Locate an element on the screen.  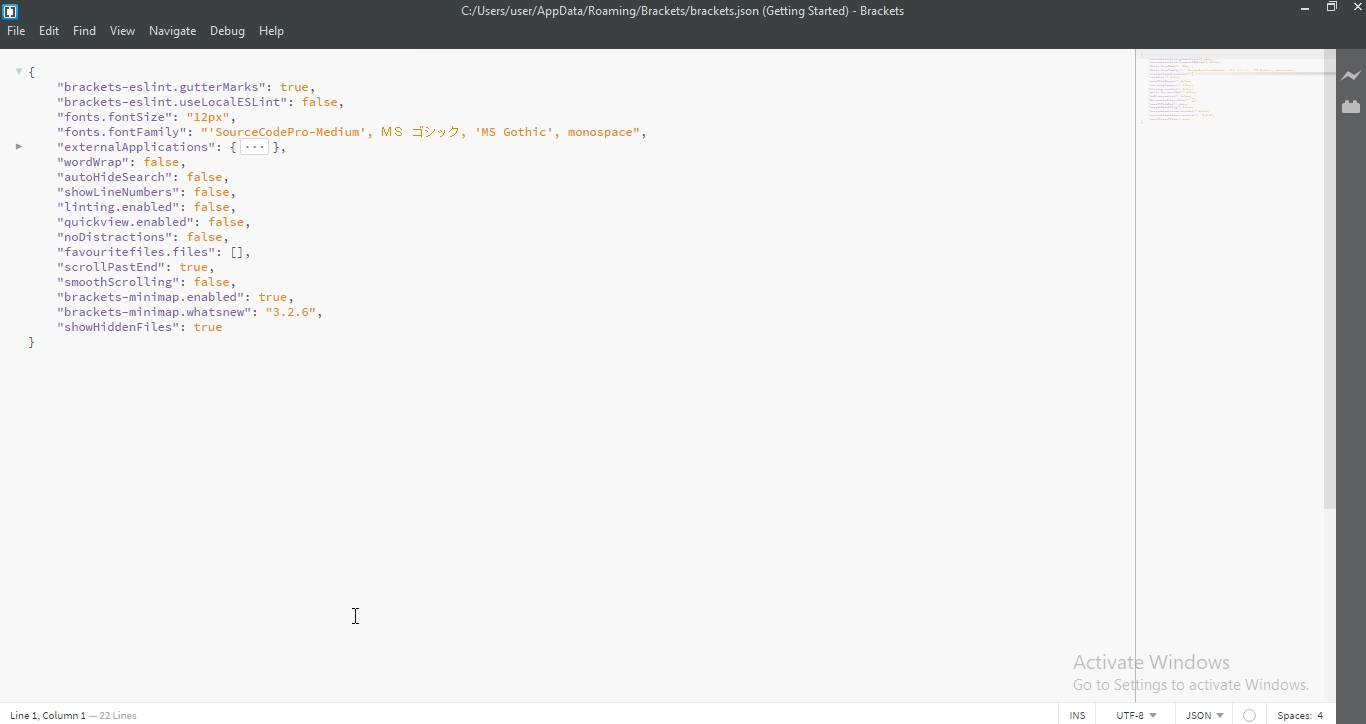
File is located at coordinates (18, 32).